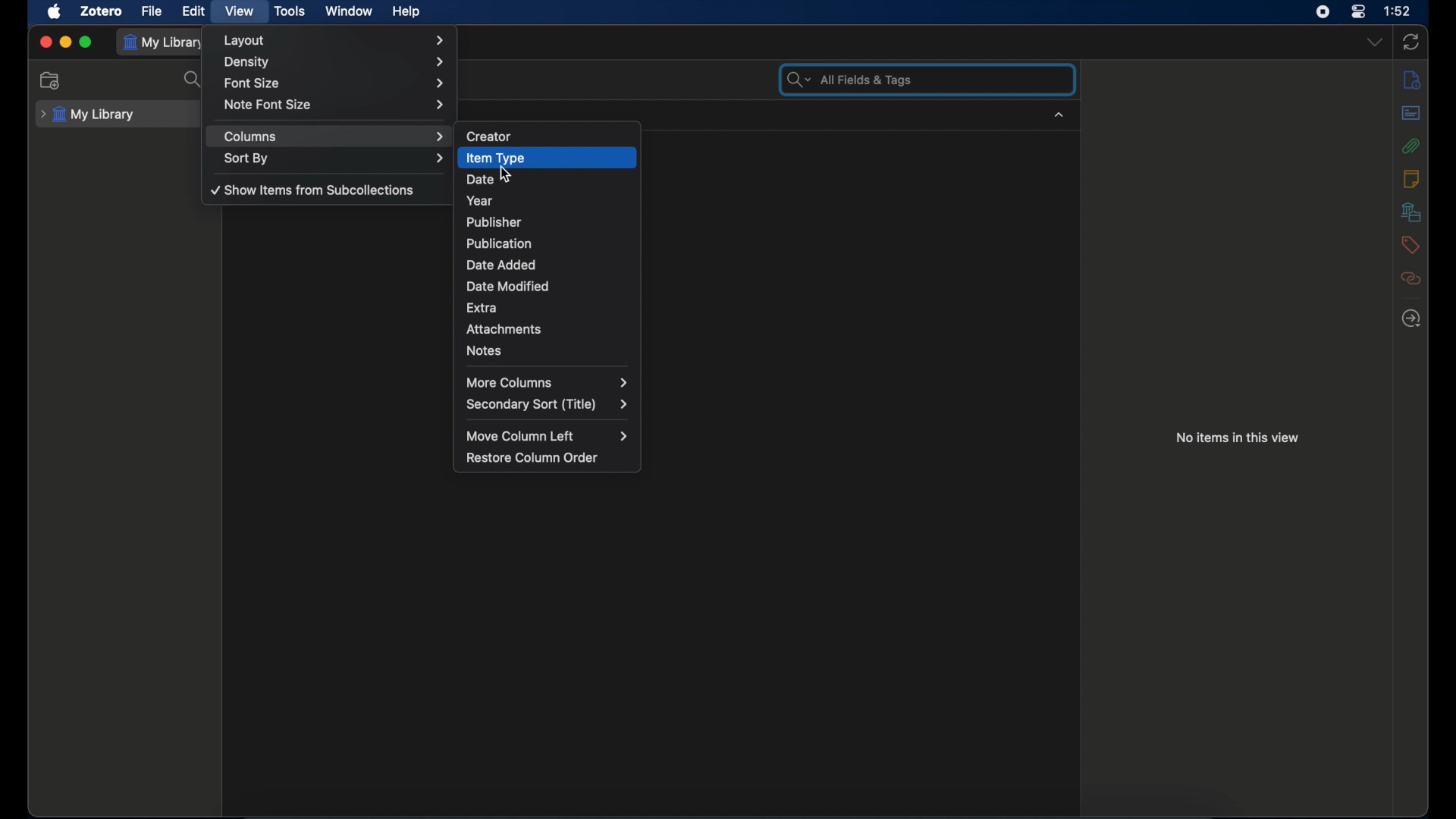 This screenshot has width=1456, height=819. I want to click on new collection, so click(50, 80).